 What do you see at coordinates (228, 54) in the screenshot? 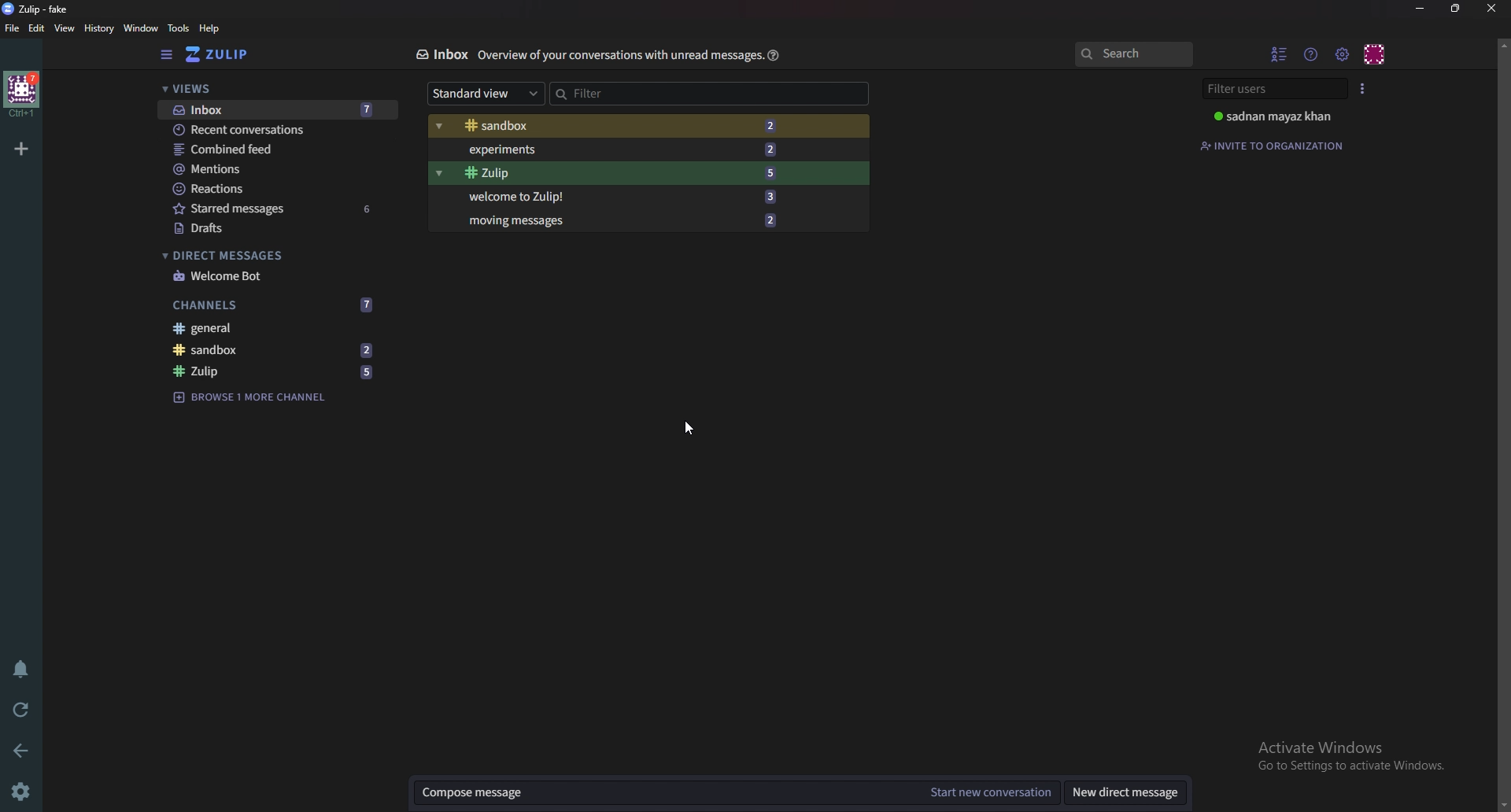
I see `Home view` at bounding box center [228, 54].